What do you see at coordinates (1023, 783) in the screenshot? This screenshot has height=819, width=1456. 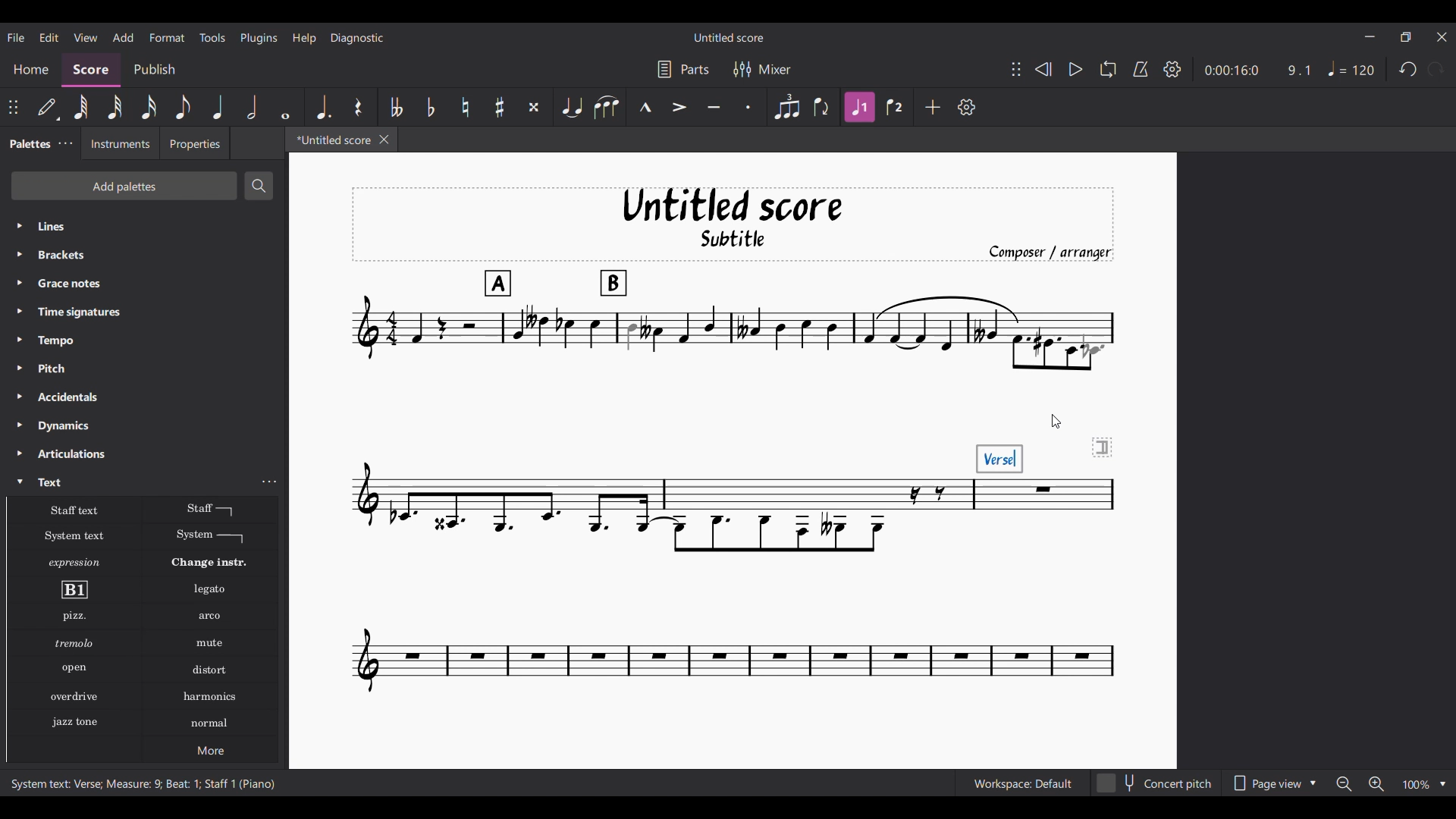 I see `Workspace: Default` at bounding box center [1023, 783].